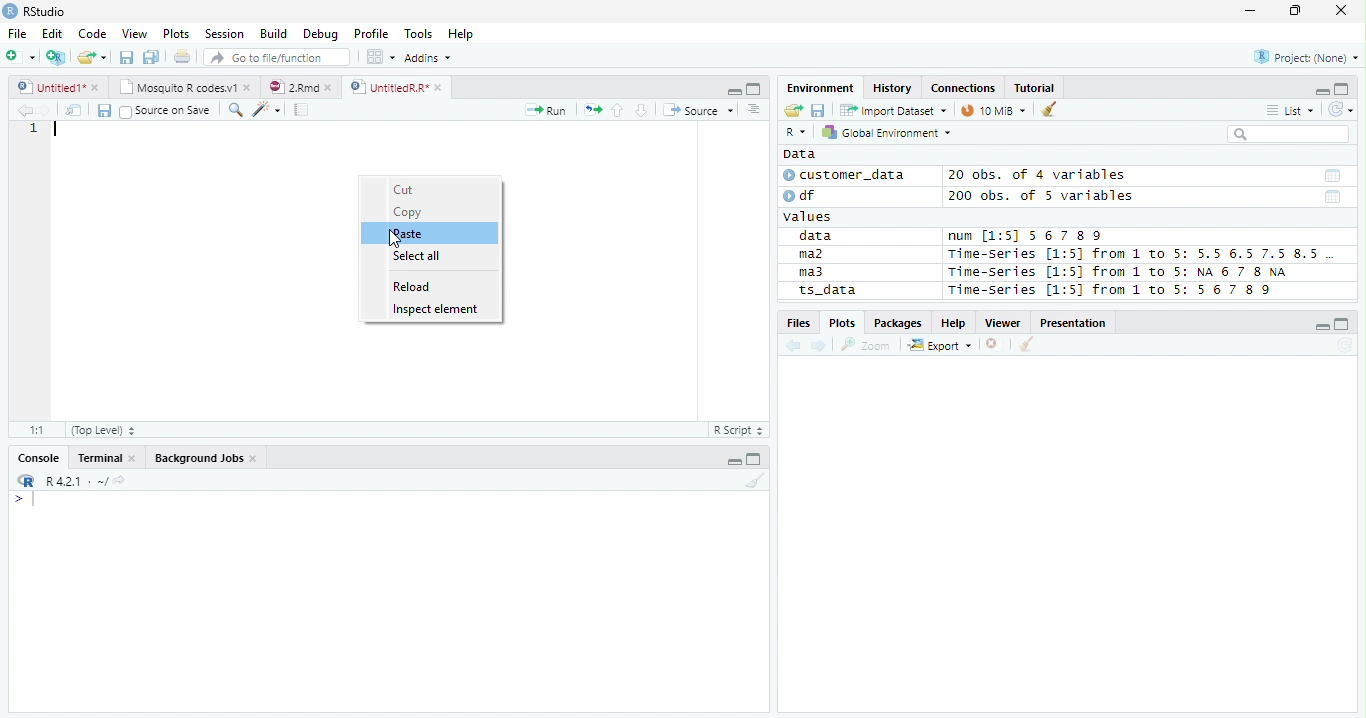 This screenshot has width=1366, height=718. What do you see at coordinates (1343, 89) in the screenshot?
I see `Maximize` at bounding box center [1343, 89].